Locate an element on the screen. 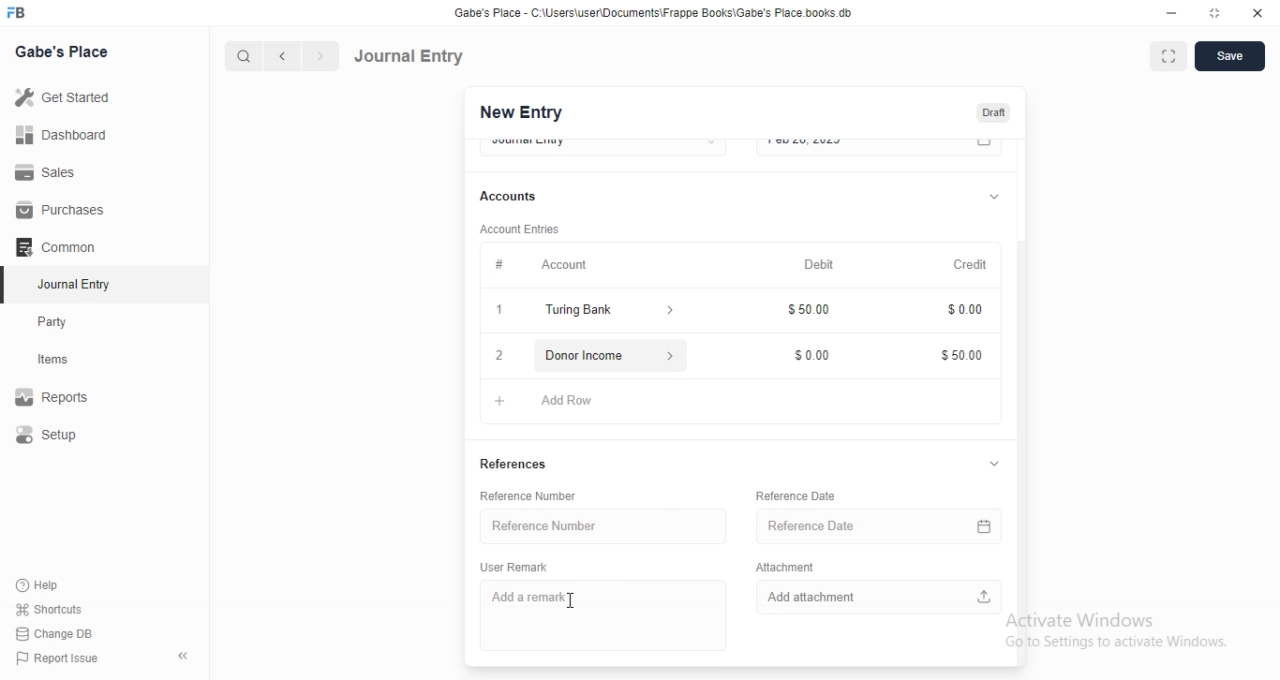 The height and width of the screenshot is (680, 1280). $5000 is located at coordinates (962, 356).